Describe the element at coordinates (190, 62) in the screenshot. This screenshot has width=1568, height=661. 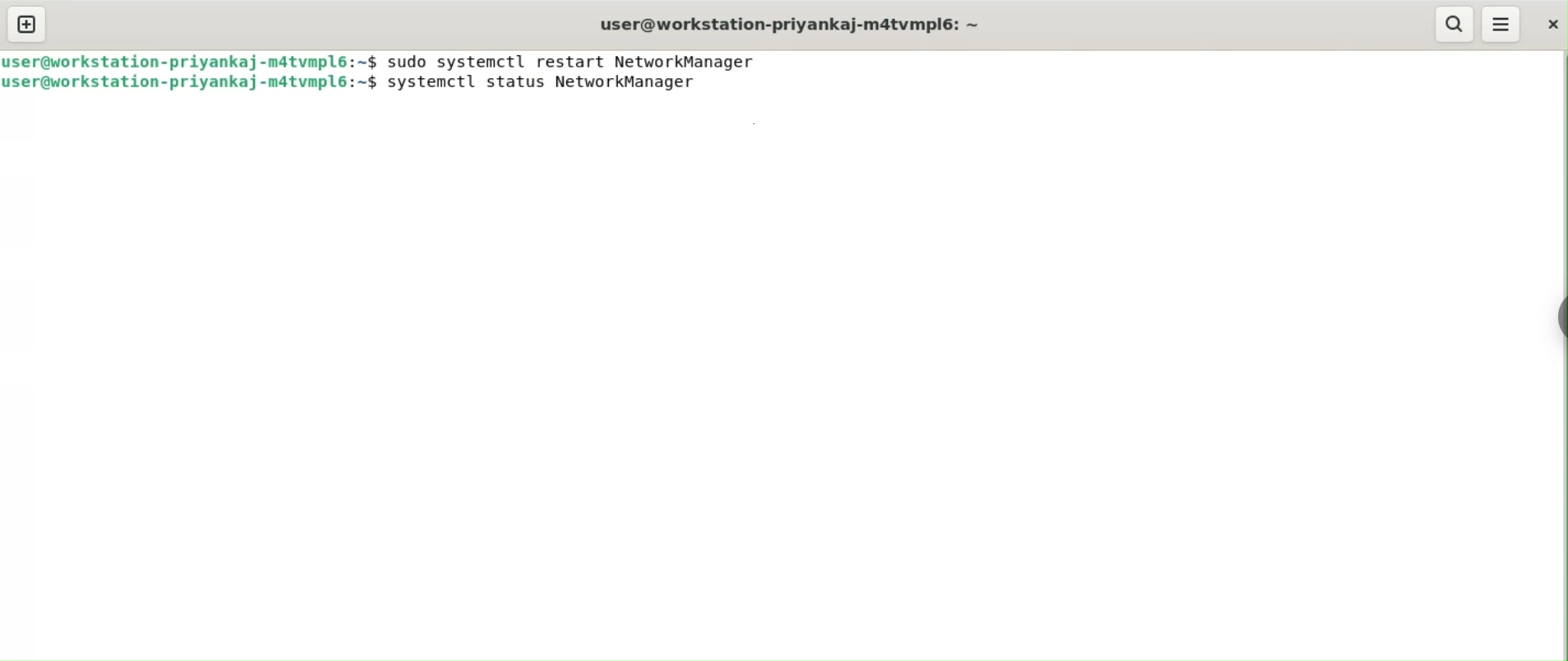
I see `user@workstation-priyankaj-m4tvmlp6:~$` at that location.